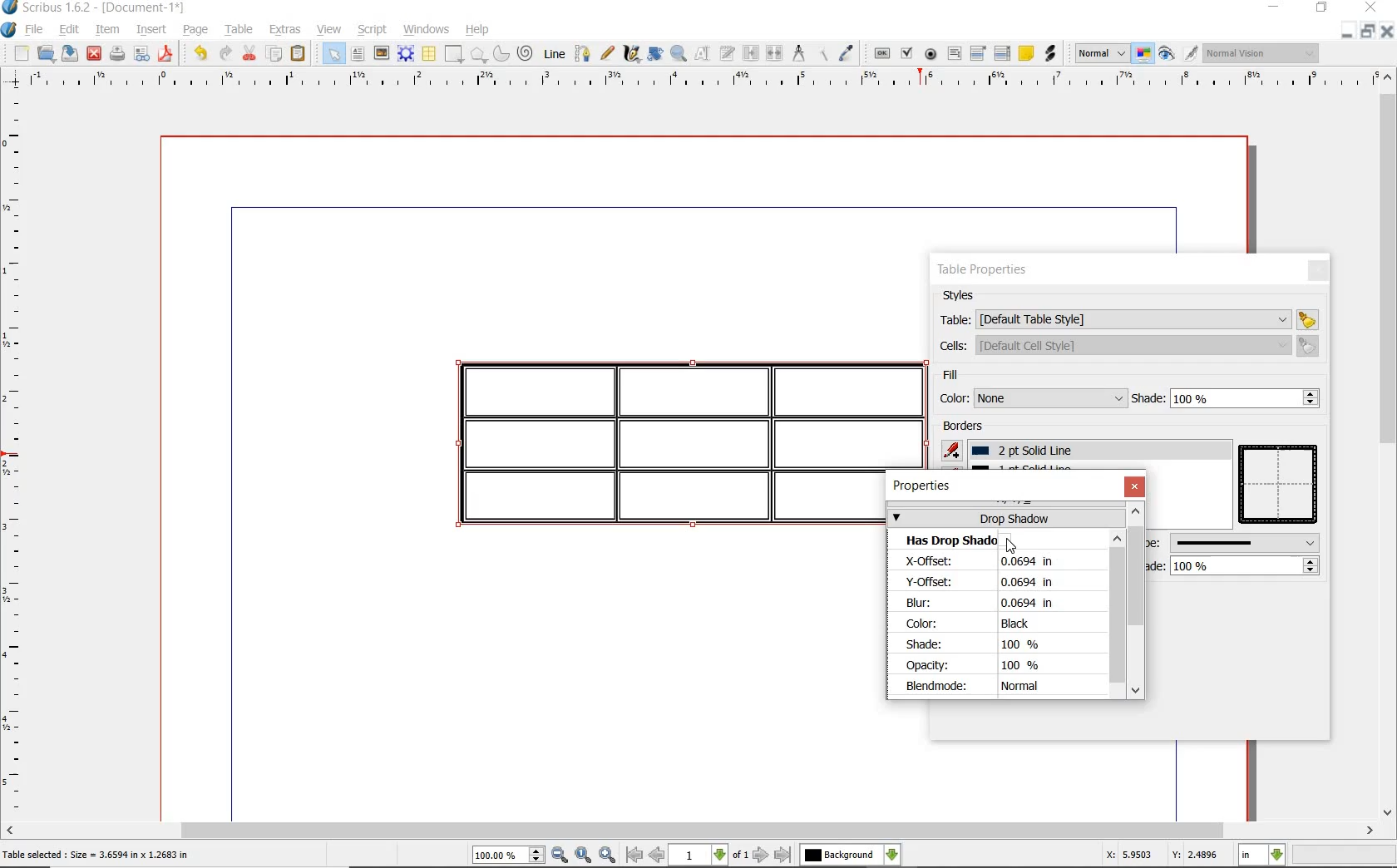 This screenshot has height=868, width=1397. I want to click on has drop shade, so click(961, 540).